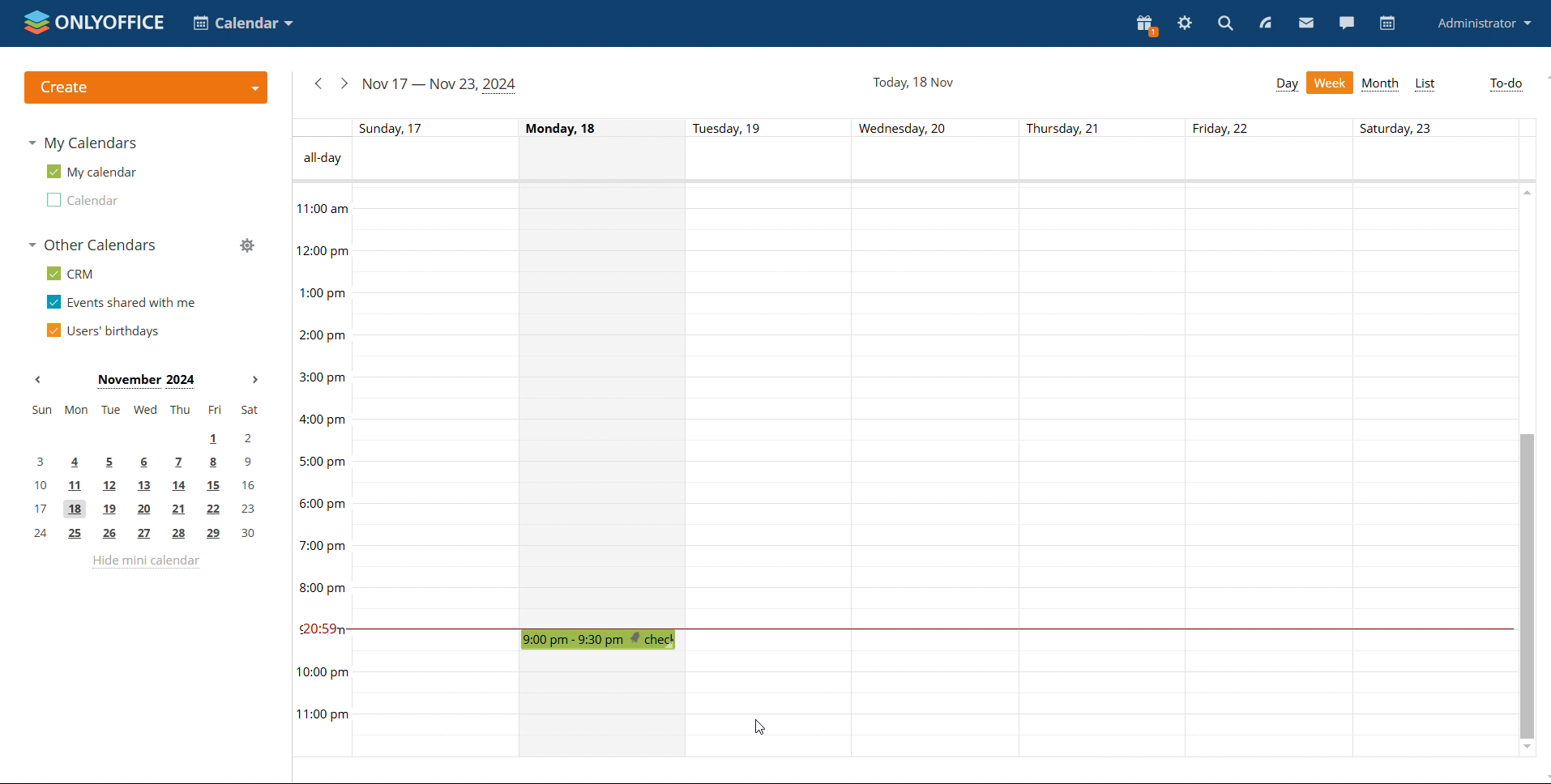 This screenshot has width=1551, height=784. Describe the element at coordinates (1527, 191) in the screenshot. I see `scroll up` at that location.